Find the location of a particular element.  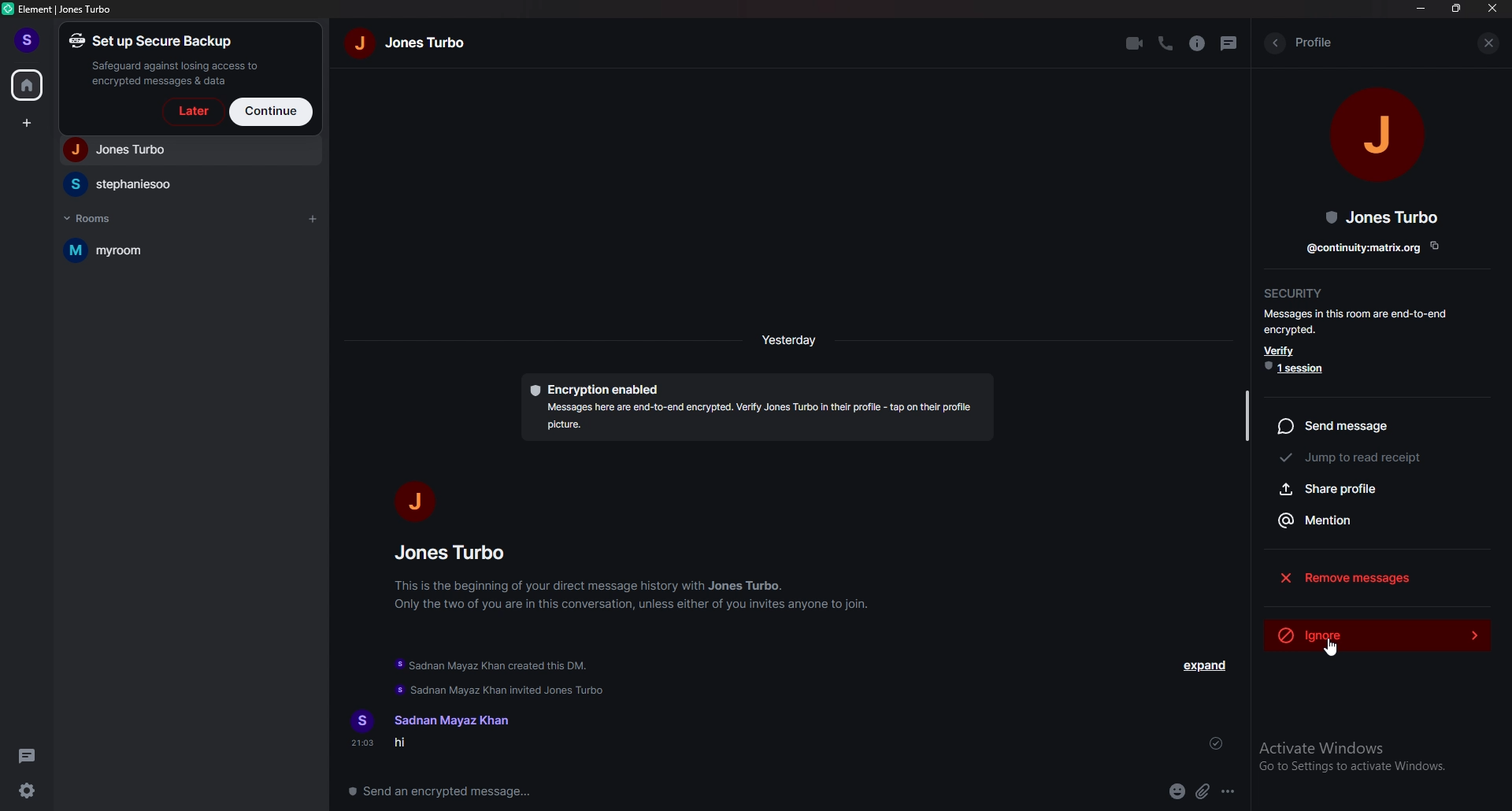

resize is located at coordinates (1457, 8).